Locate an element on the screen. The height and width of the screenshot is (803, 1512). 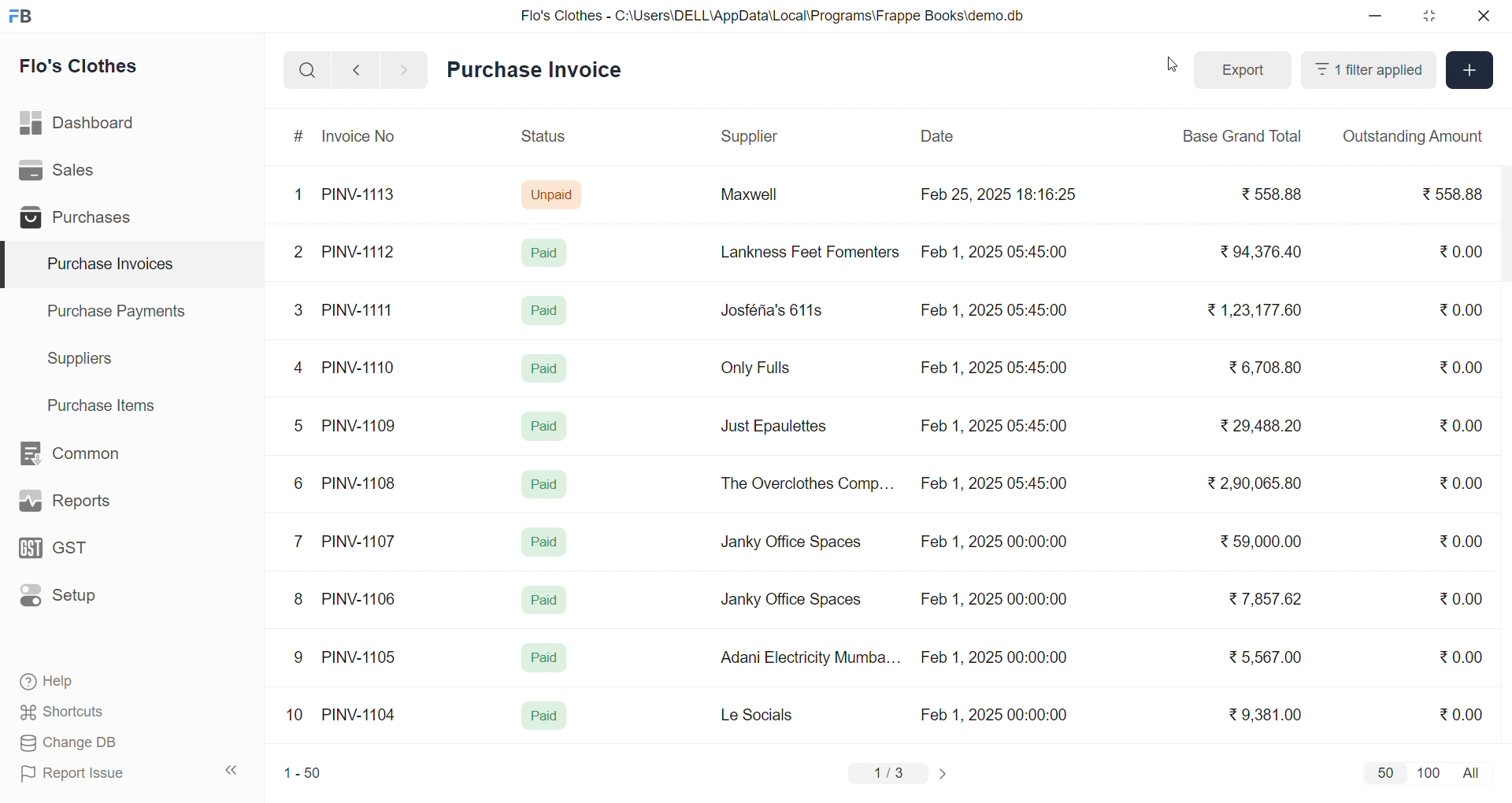
Paid is located at coordinates (547, 424).